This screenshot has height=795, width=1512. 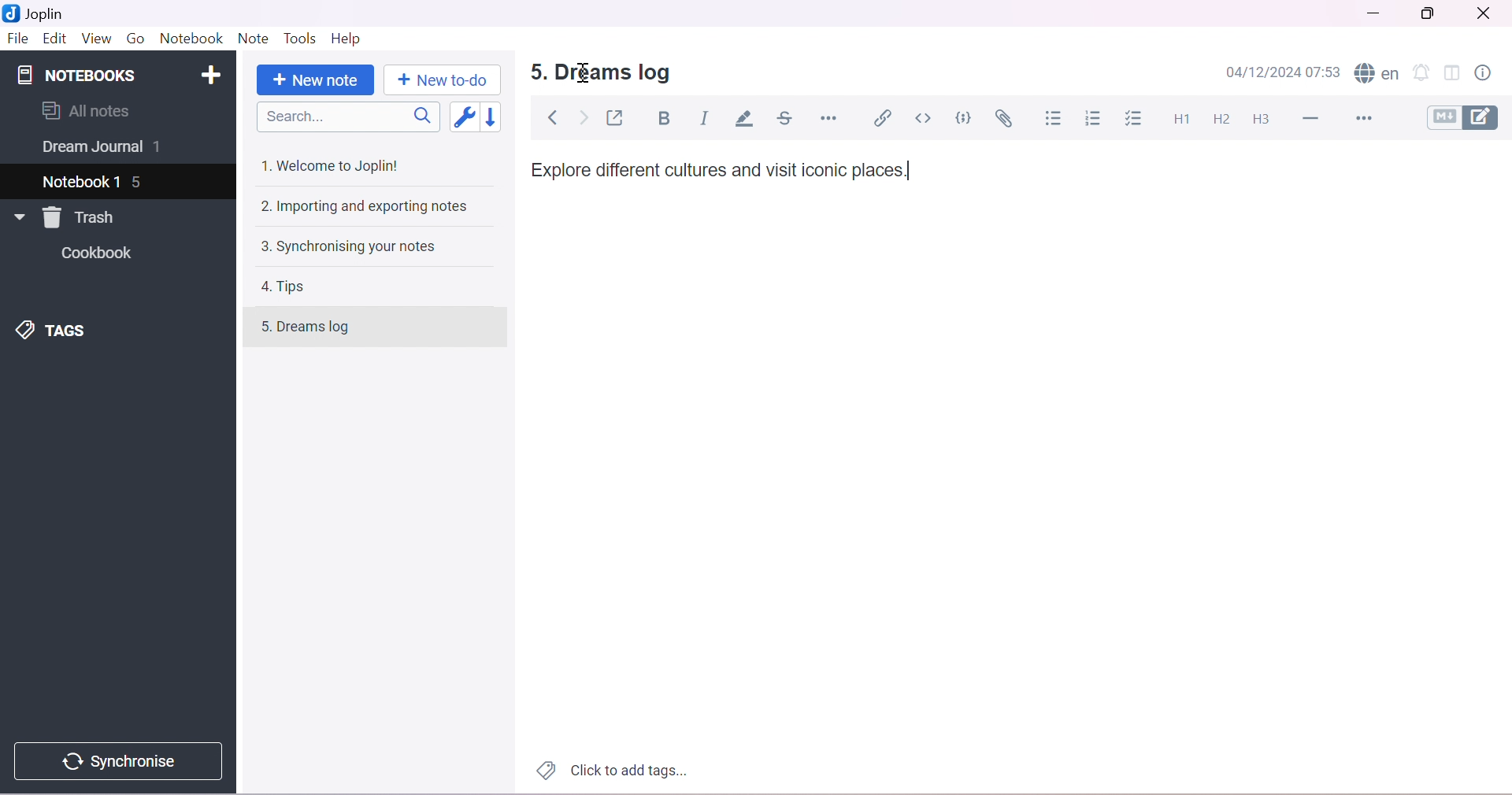 I want to click on Bulleted list, so click(x=1055, y=119).